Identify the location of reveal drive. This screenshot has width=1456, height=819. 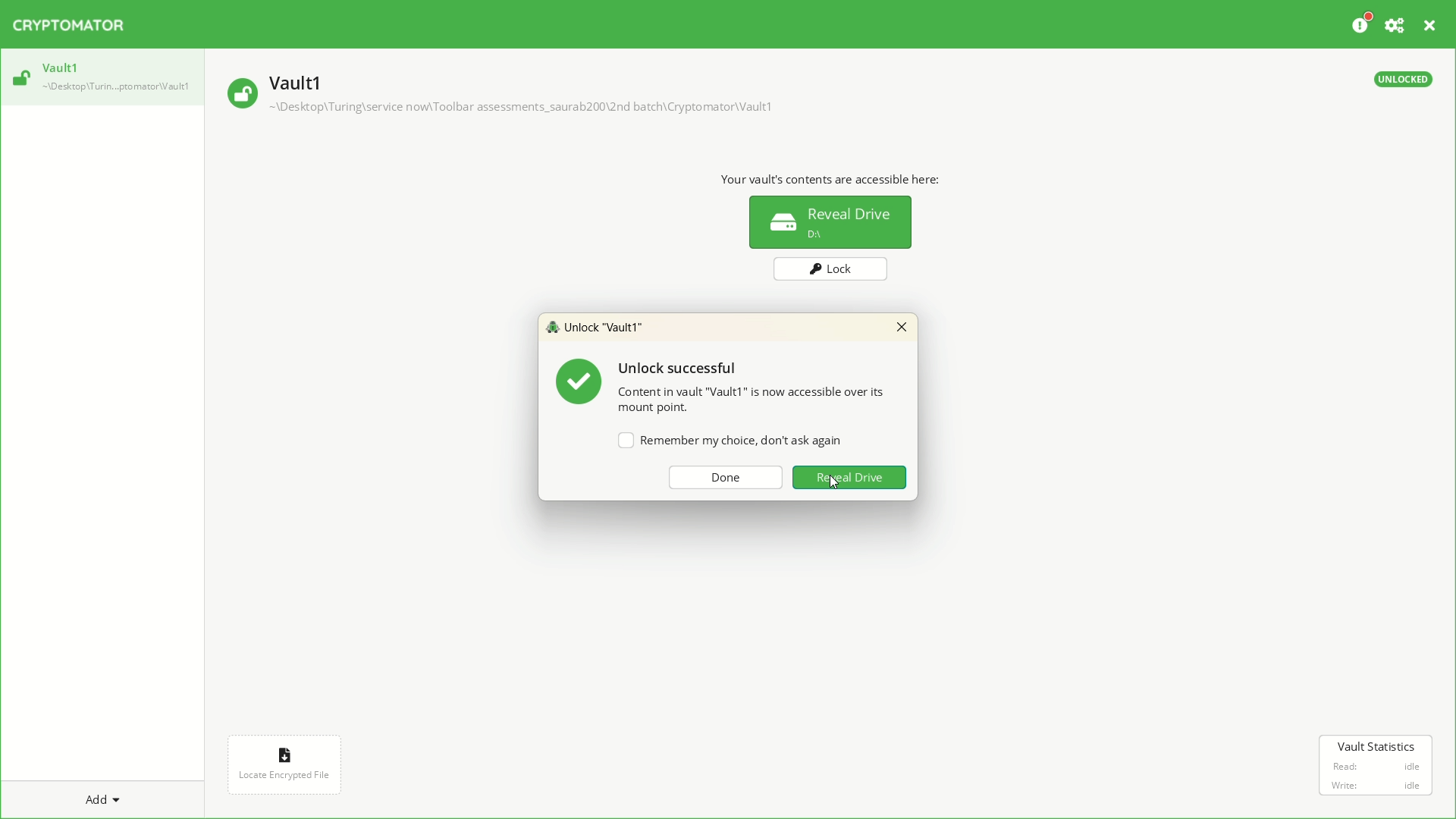
(852, 480).